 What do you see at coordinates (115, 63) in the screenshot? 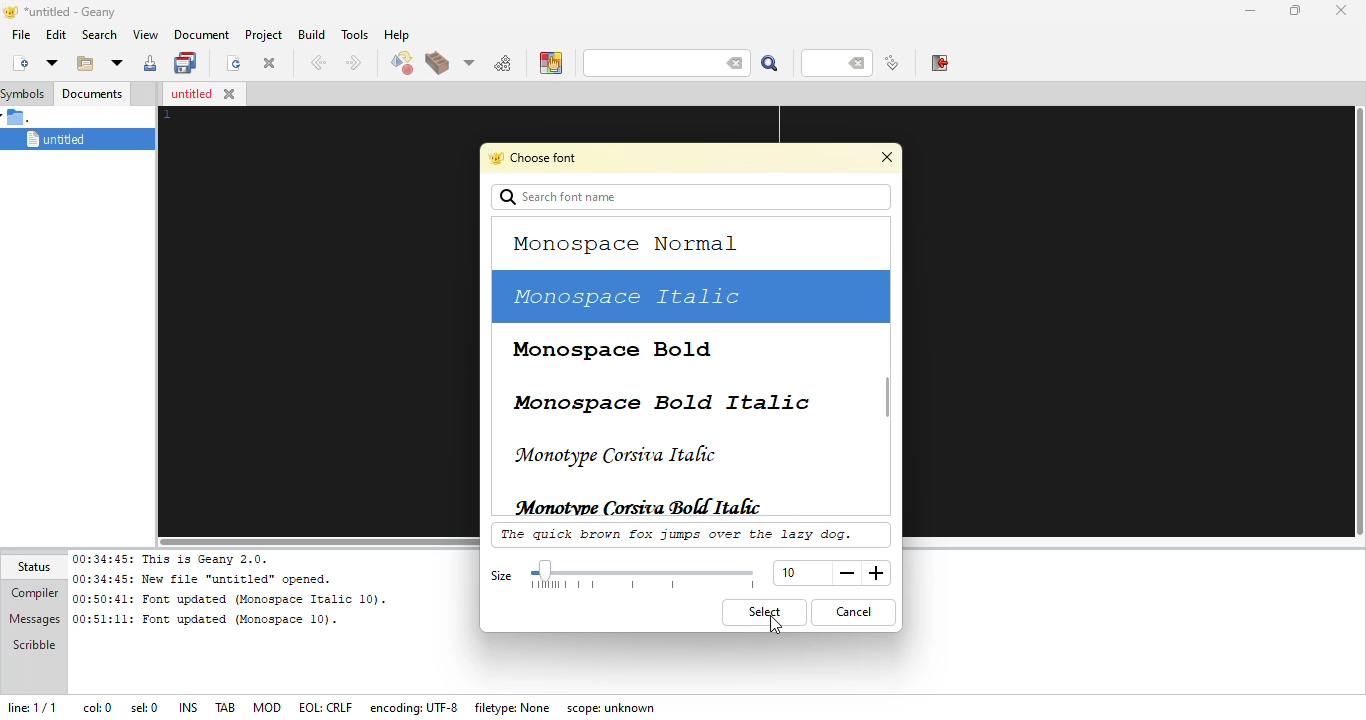
I see `open recent file` at bounding box center [115, 63].